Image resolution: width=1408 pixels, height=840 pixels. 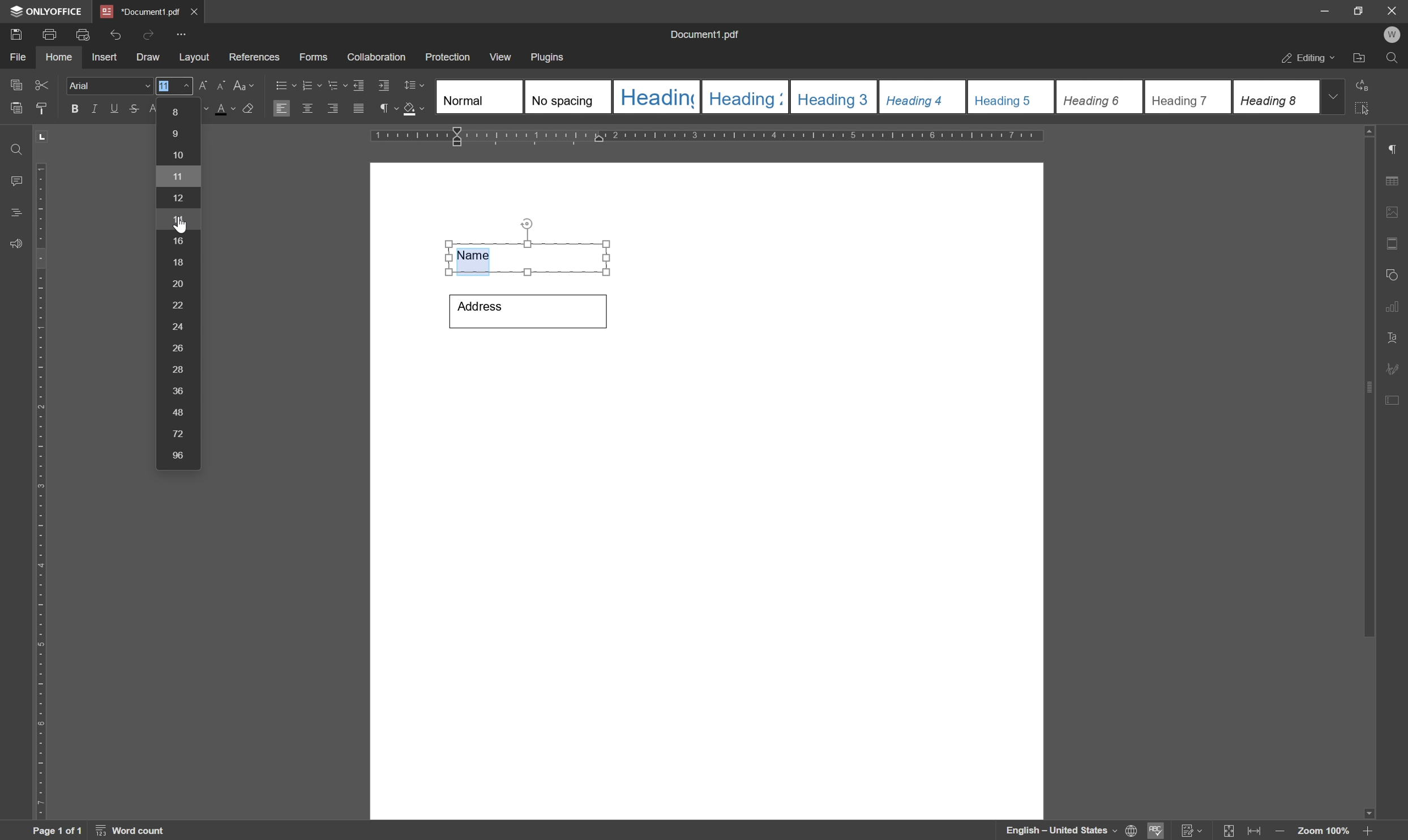 I want to click on pointer cursor, so click(x=179, y=230).